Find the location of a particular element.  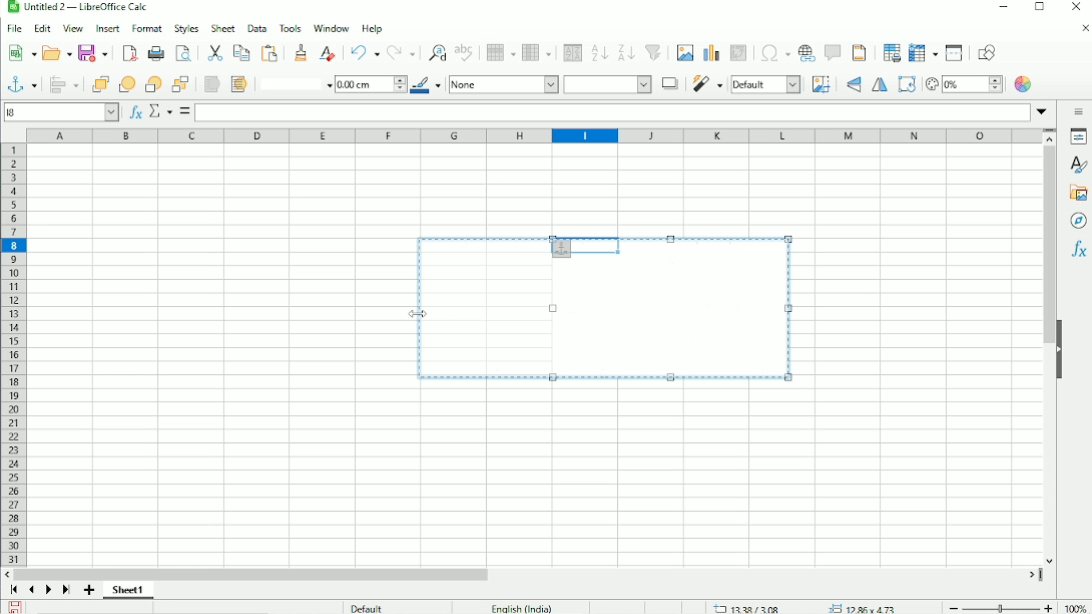

Spell check is located at coordinates (465, 52).